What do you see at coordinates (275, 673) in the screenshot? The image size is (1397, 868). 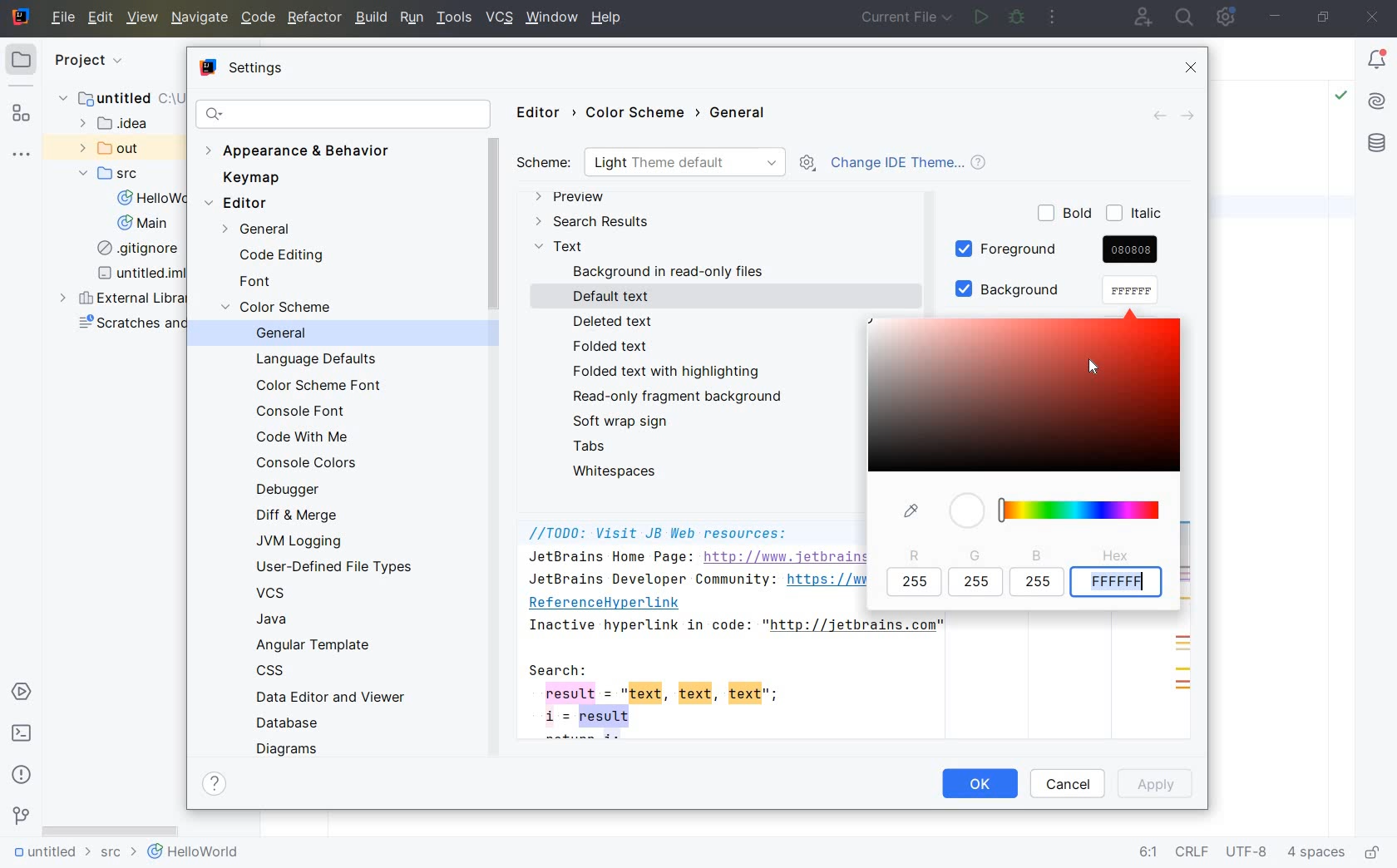 I see `CSS` at bounding box center [275, 673].